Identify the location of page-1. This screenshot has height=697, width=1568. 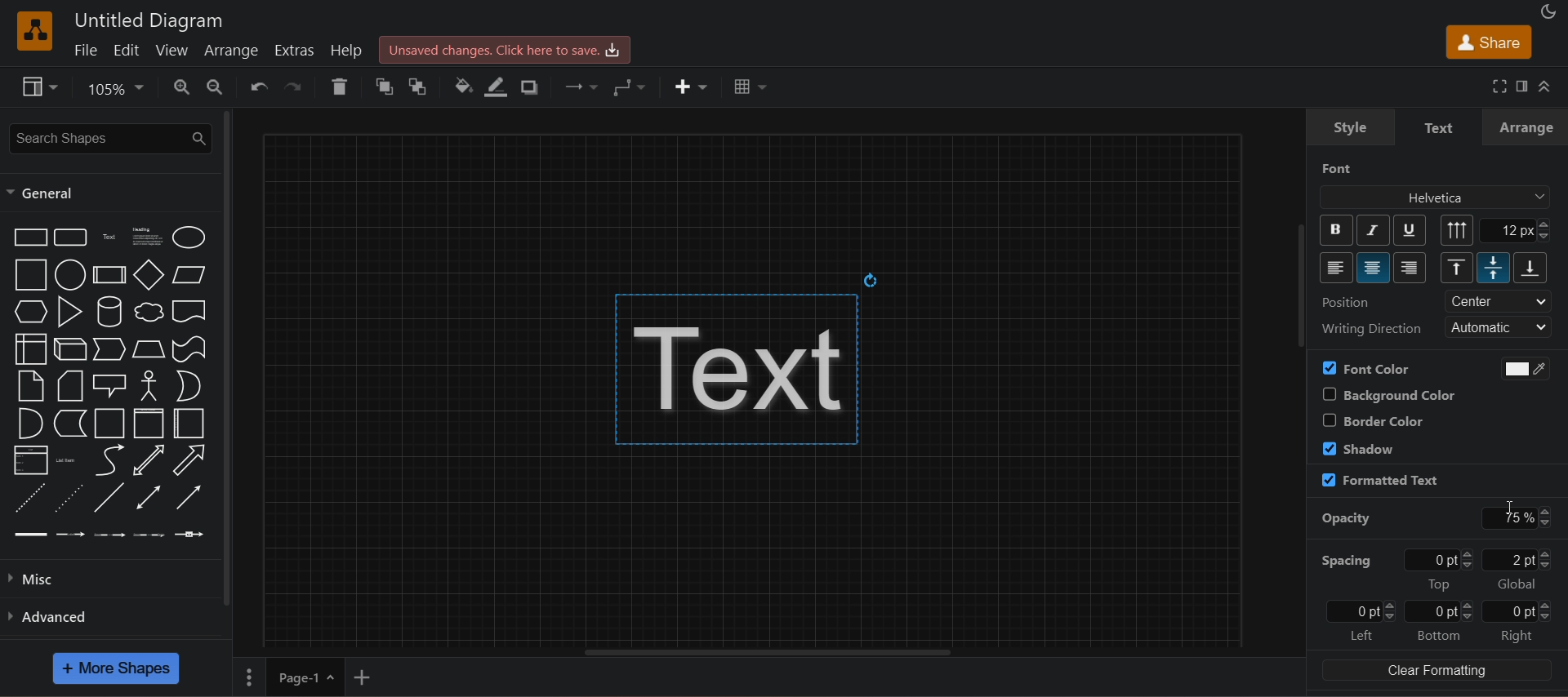
(304, 677).